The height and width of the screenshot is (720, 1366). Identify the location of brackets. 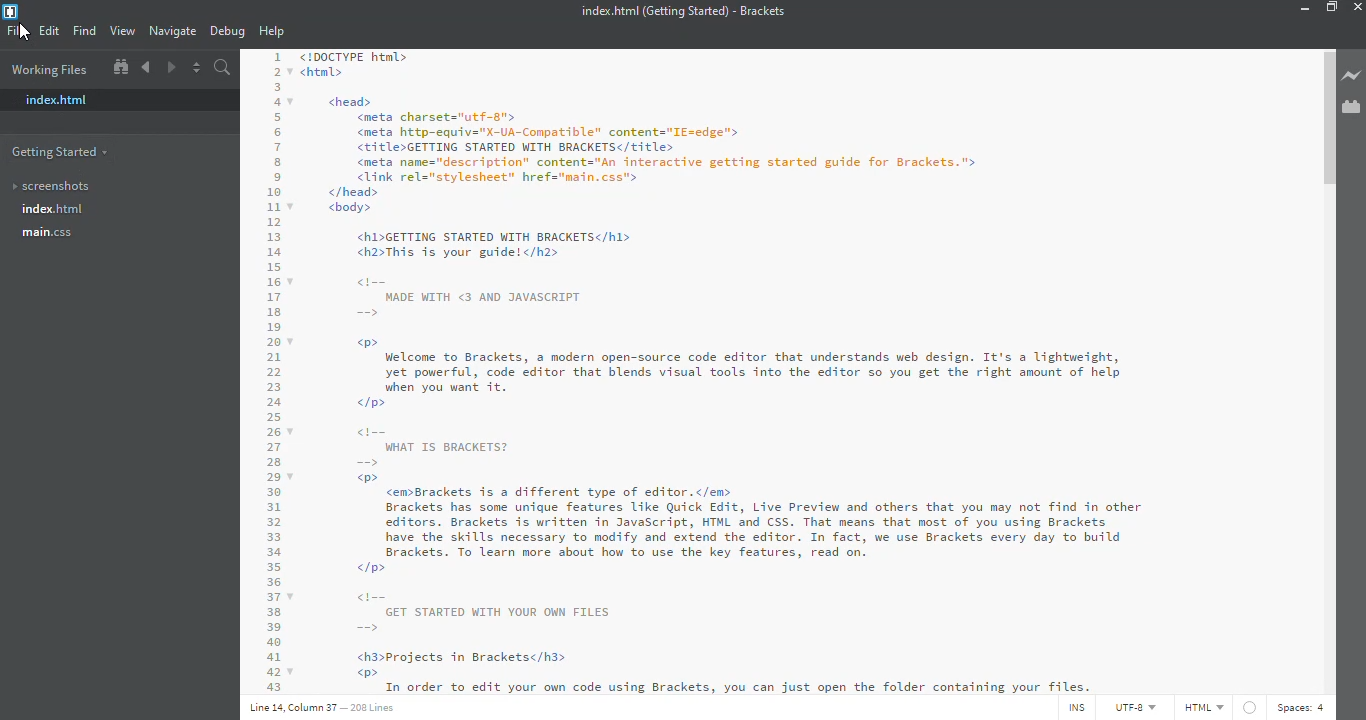
(10, 12).